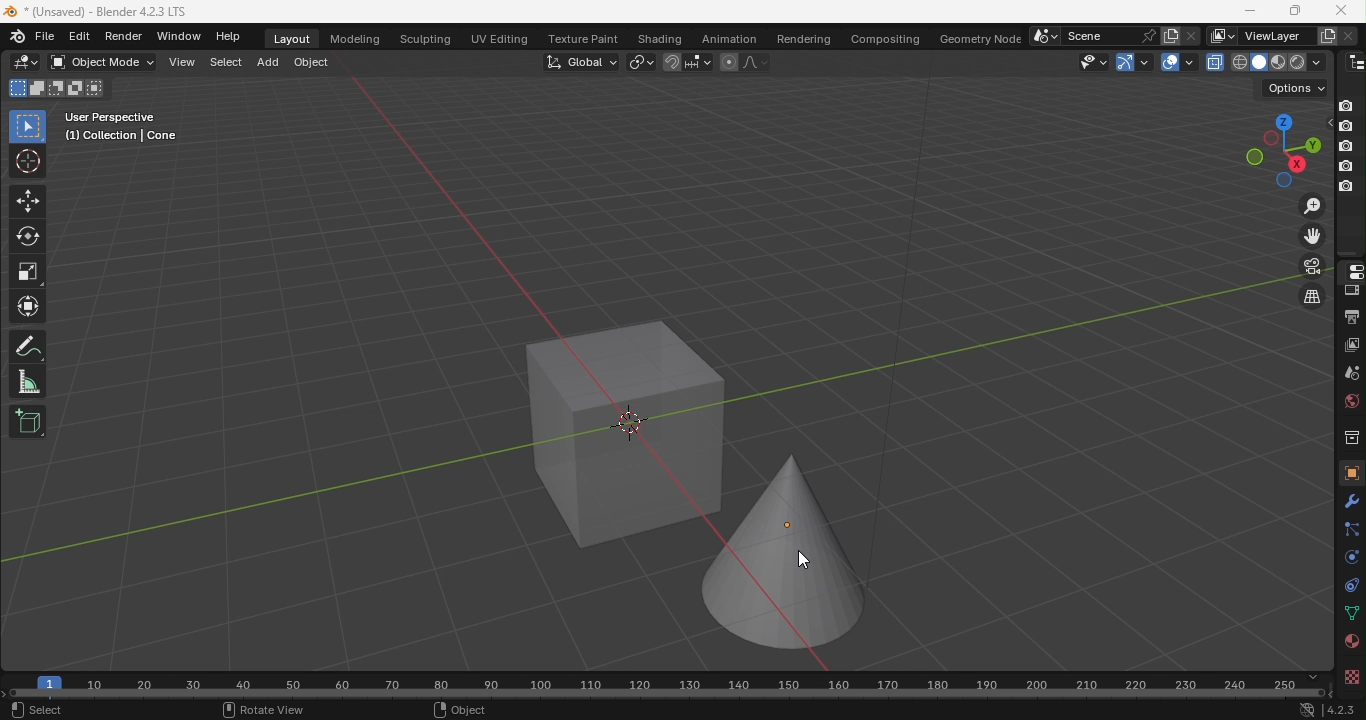  I want to click on World, so click(1349, 401).